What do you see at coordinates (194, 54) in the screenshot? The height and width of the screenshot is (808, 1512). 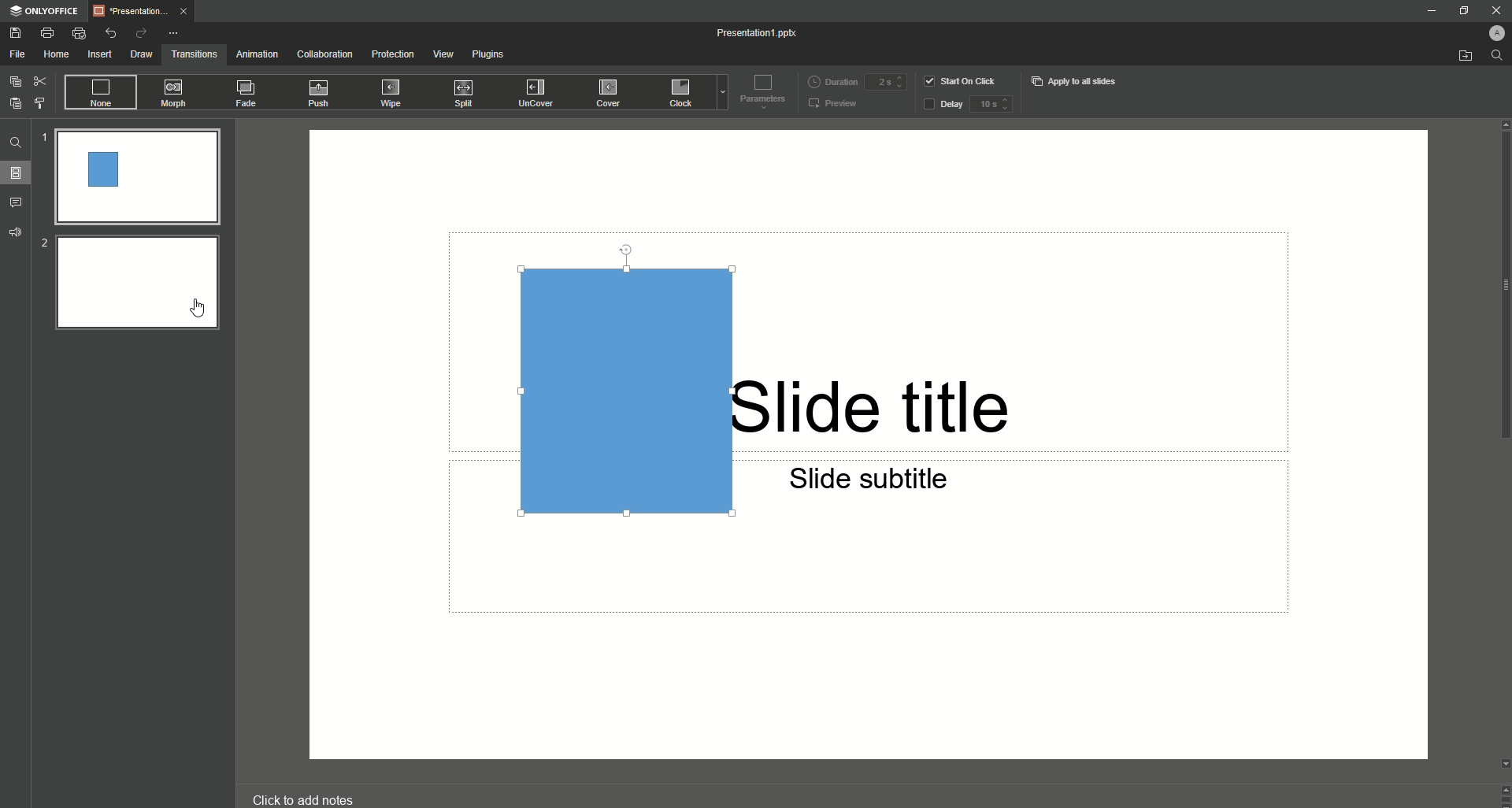 I see `Transitions` at bounding box center [194, 54].